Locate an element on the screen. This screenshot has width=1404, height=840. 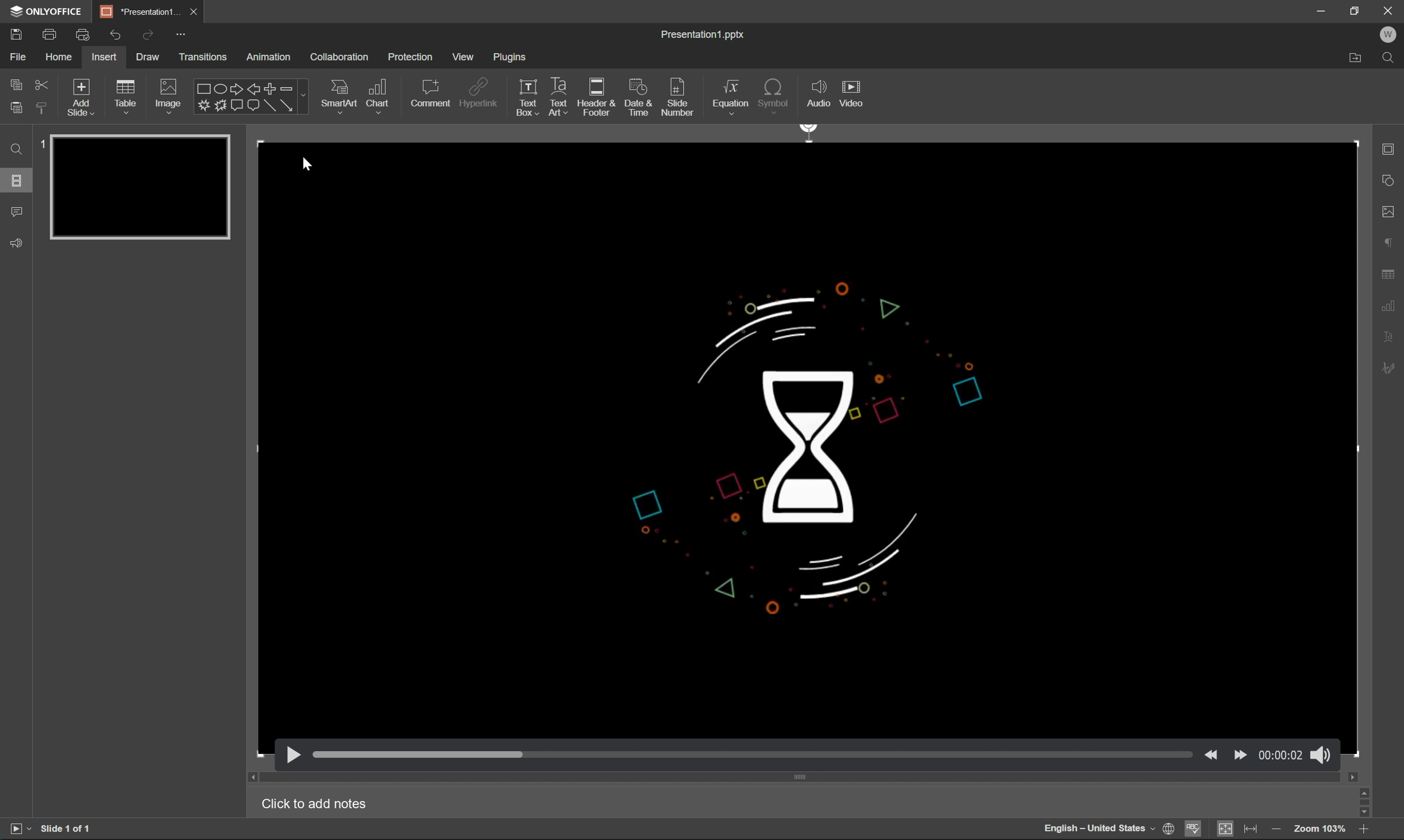
add slide is located at coordinates (82, 96).